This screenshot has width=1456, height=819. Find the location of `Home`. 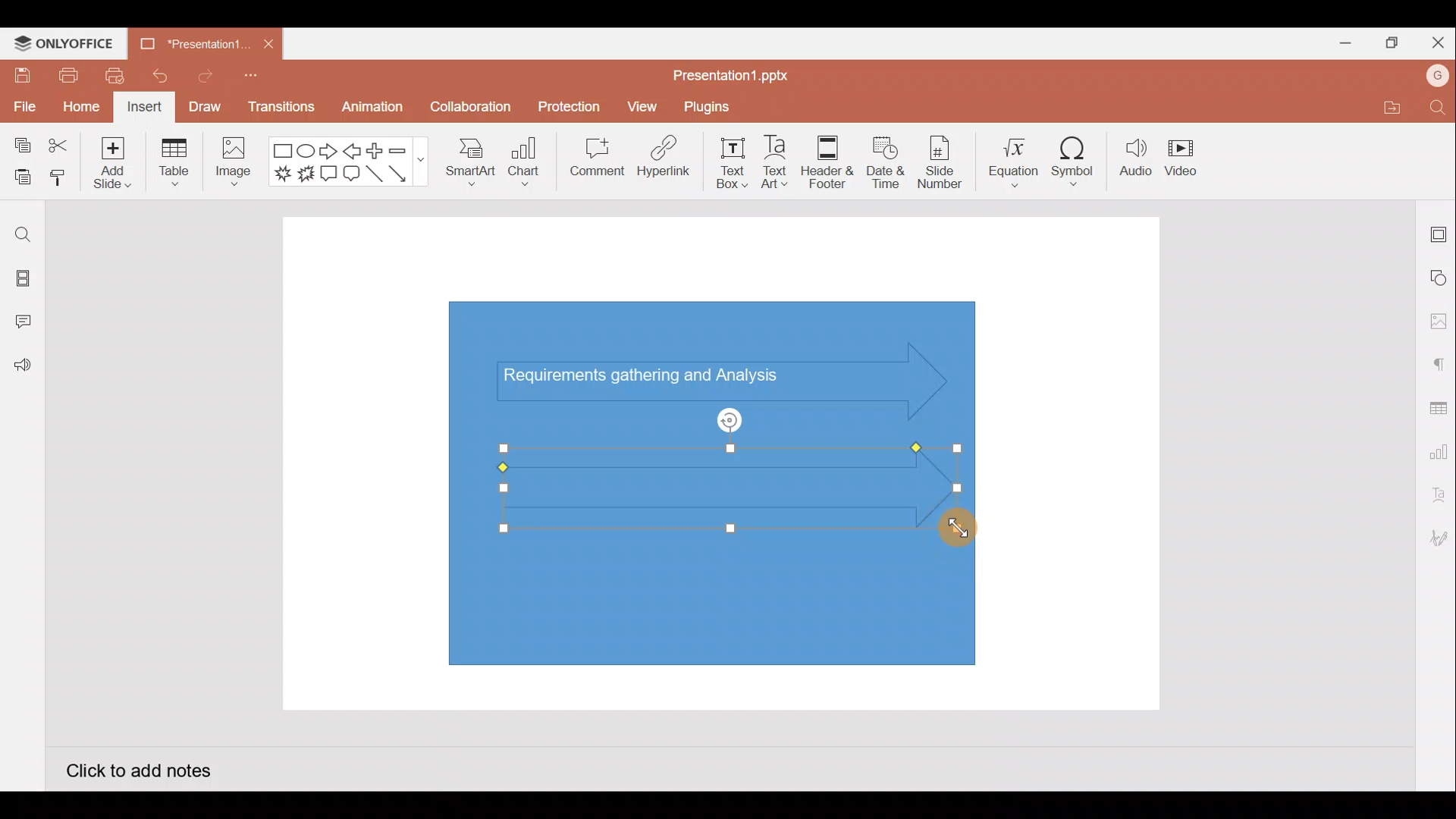

Home is located at coordinates (81, 108).